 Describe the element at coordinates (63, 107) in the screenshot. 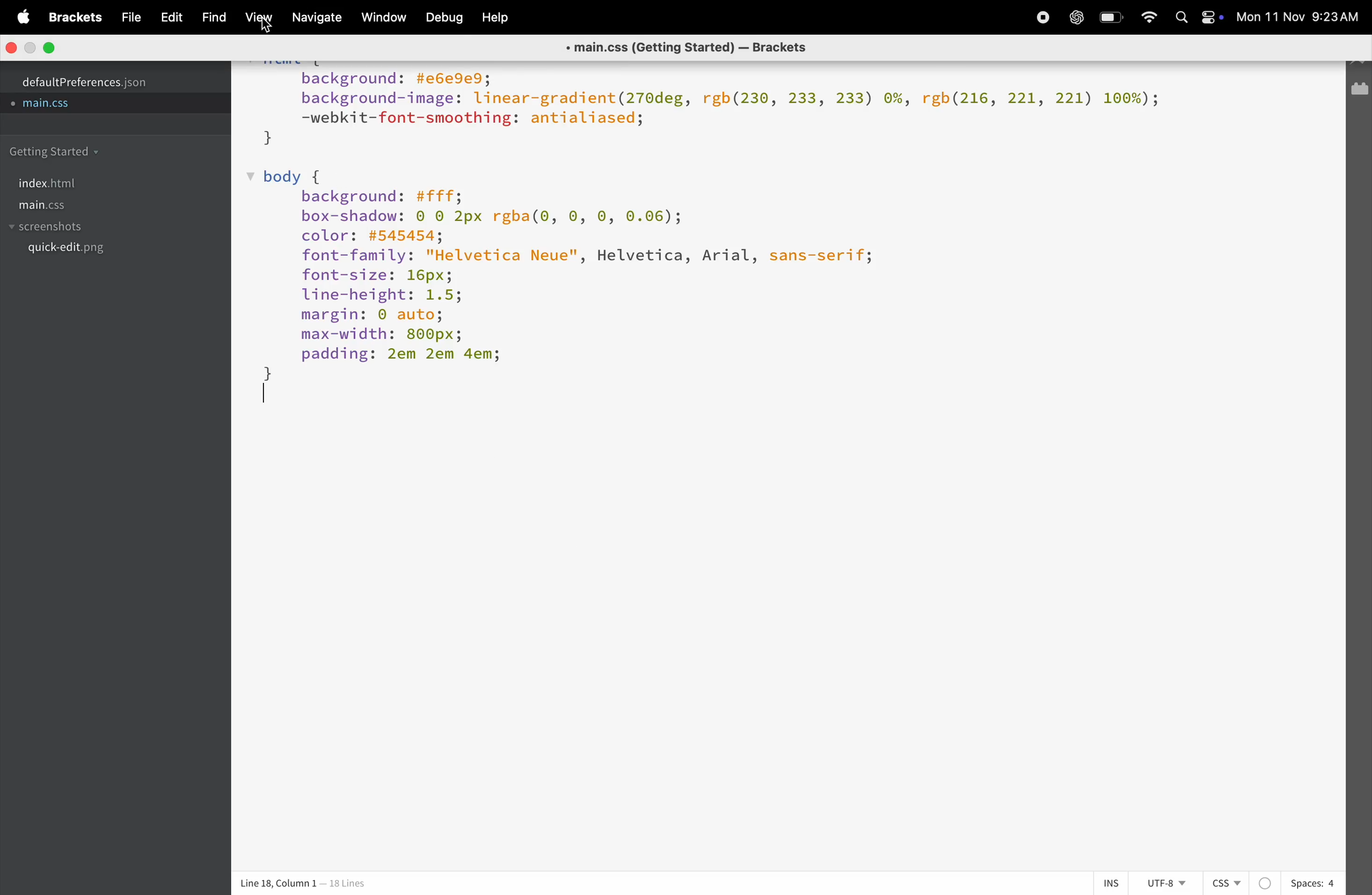

I see `main.css` at that location.